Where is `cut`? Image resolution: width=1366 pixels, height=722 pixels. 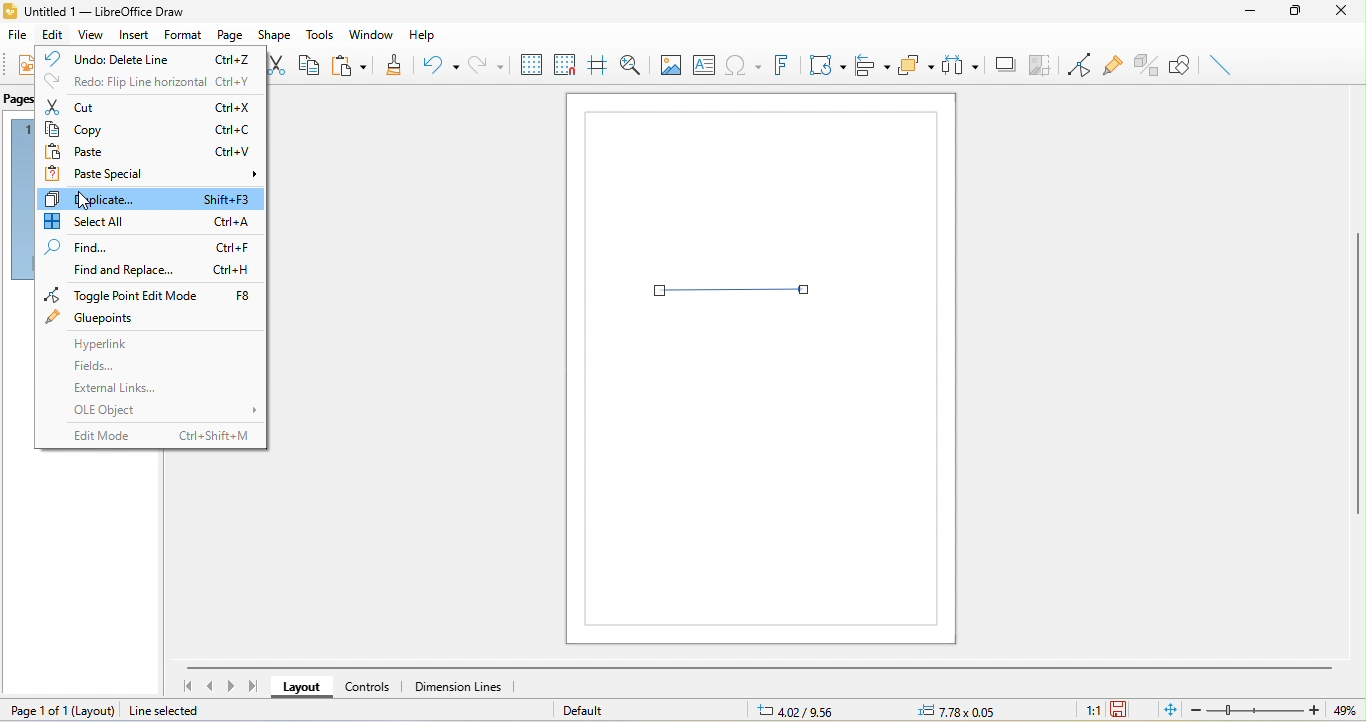
cut is located at coordinates (281, 64).